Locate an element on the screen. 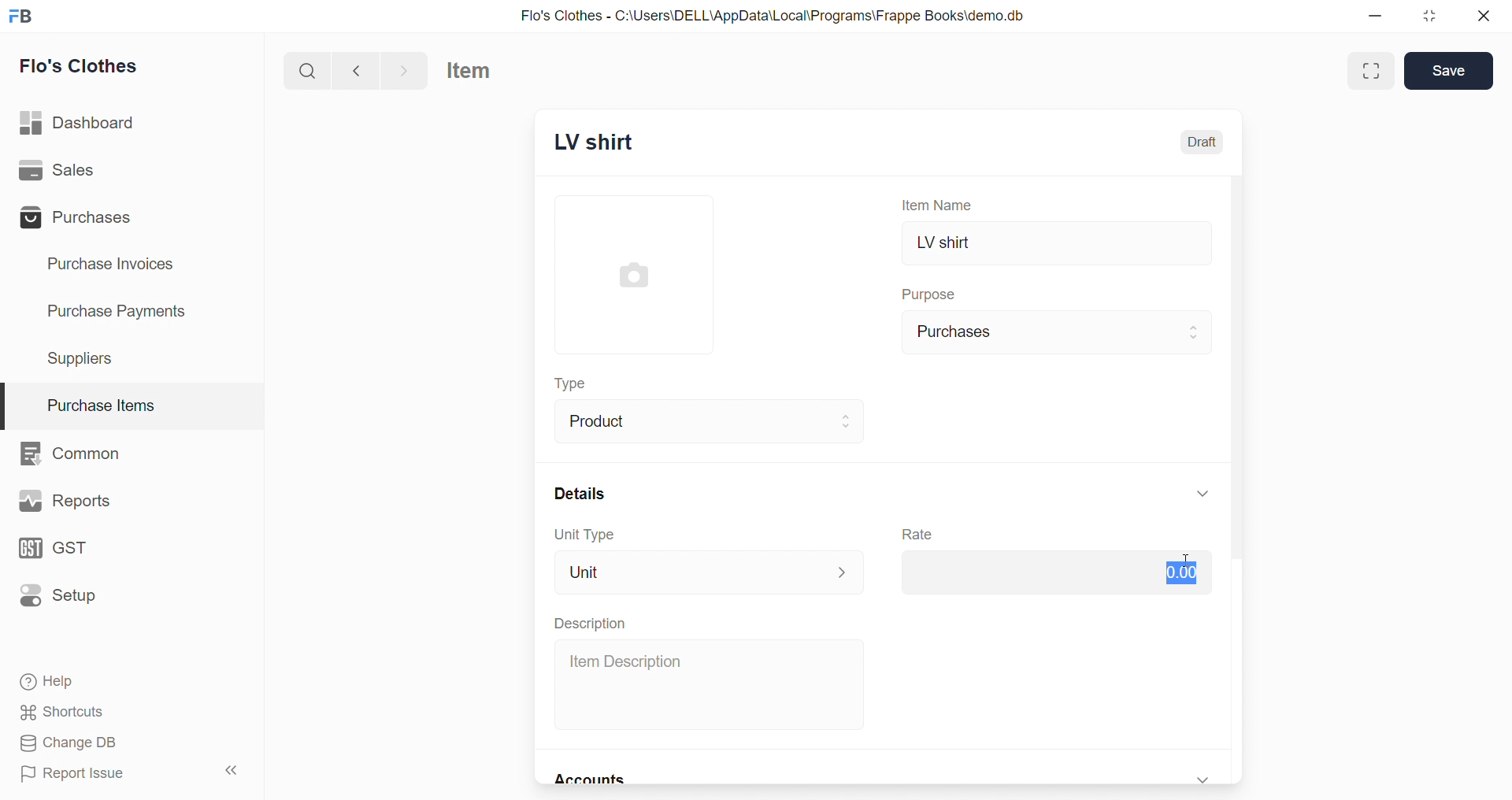 The width and height of the screenshot is (1512, 800). Unit is located at coordinates (710, 572).